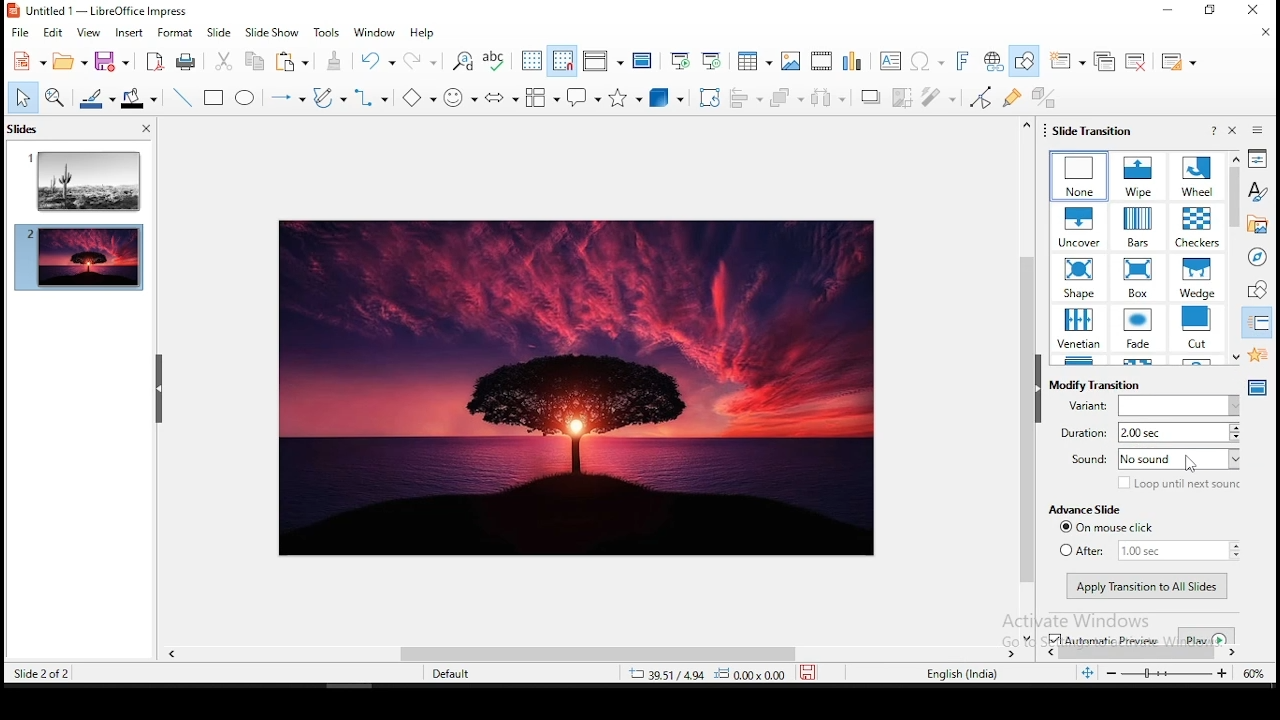  Describe the element at coordinates (78, 261) in the screenshot. I see `slide 2` at that location.